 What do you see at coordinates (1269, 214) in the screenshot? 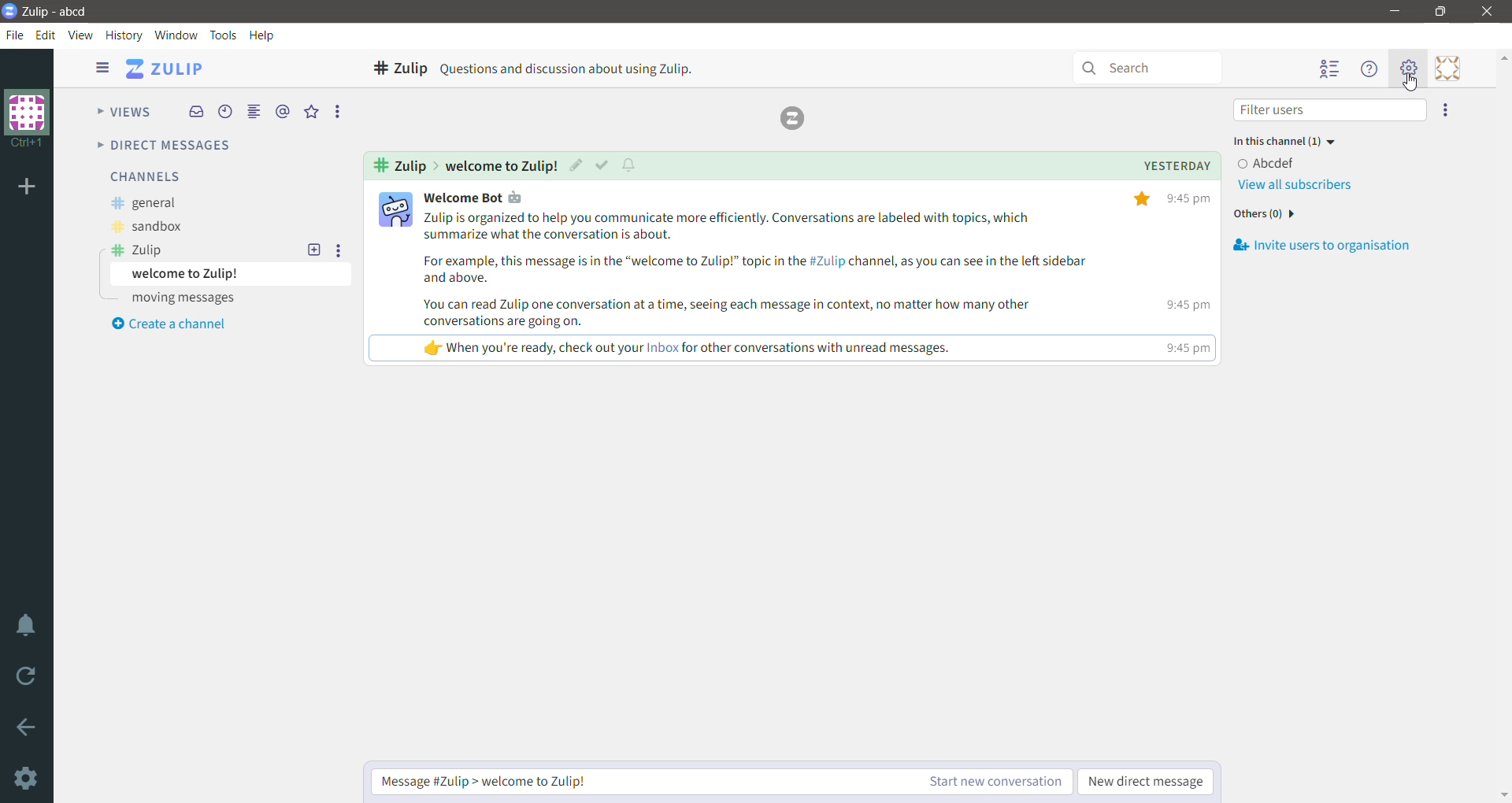
I see `Others` at bounding box center [1269, 214].